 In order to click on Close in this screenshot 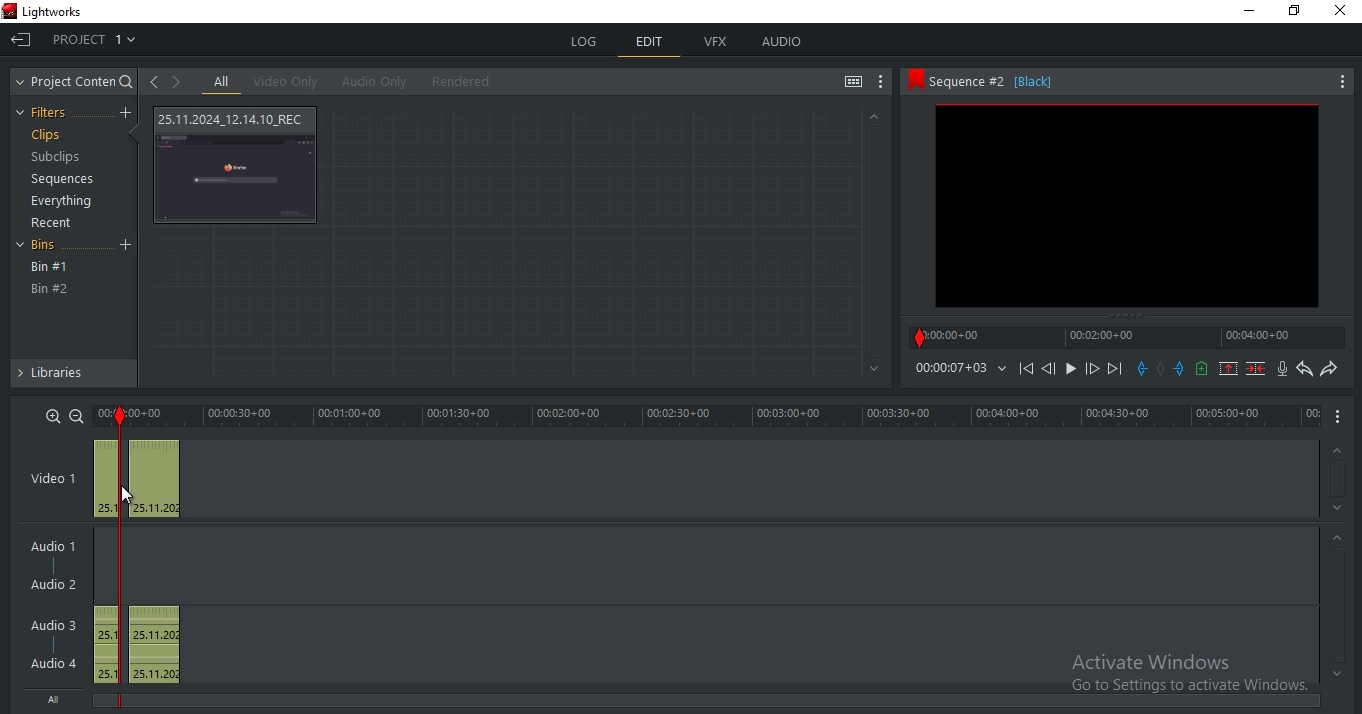, I will do `click(1343, 12)`.